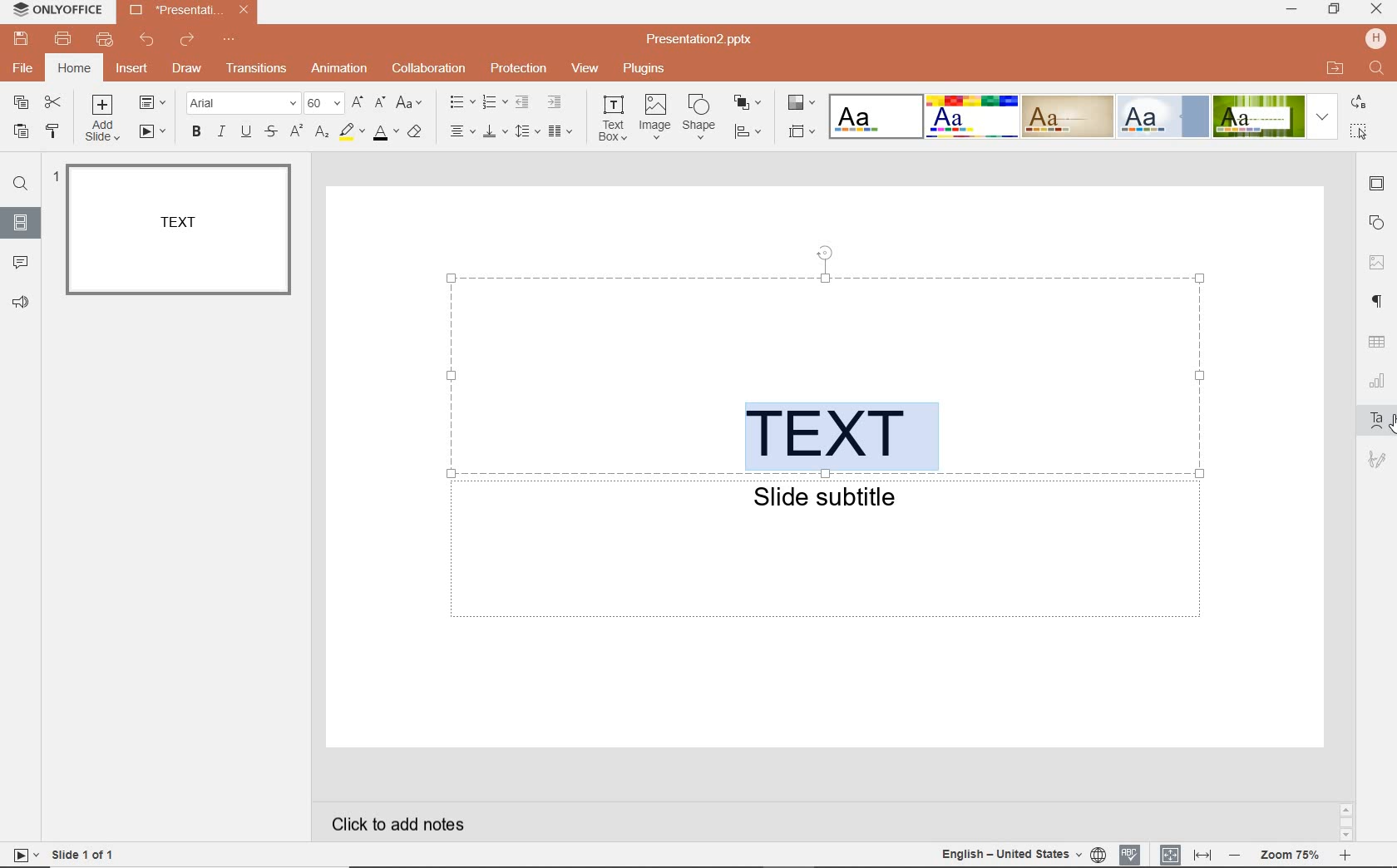 Image resolution: width=1397 pixels, height=868 pixels. I want to click on COPY, so click(22, 104).